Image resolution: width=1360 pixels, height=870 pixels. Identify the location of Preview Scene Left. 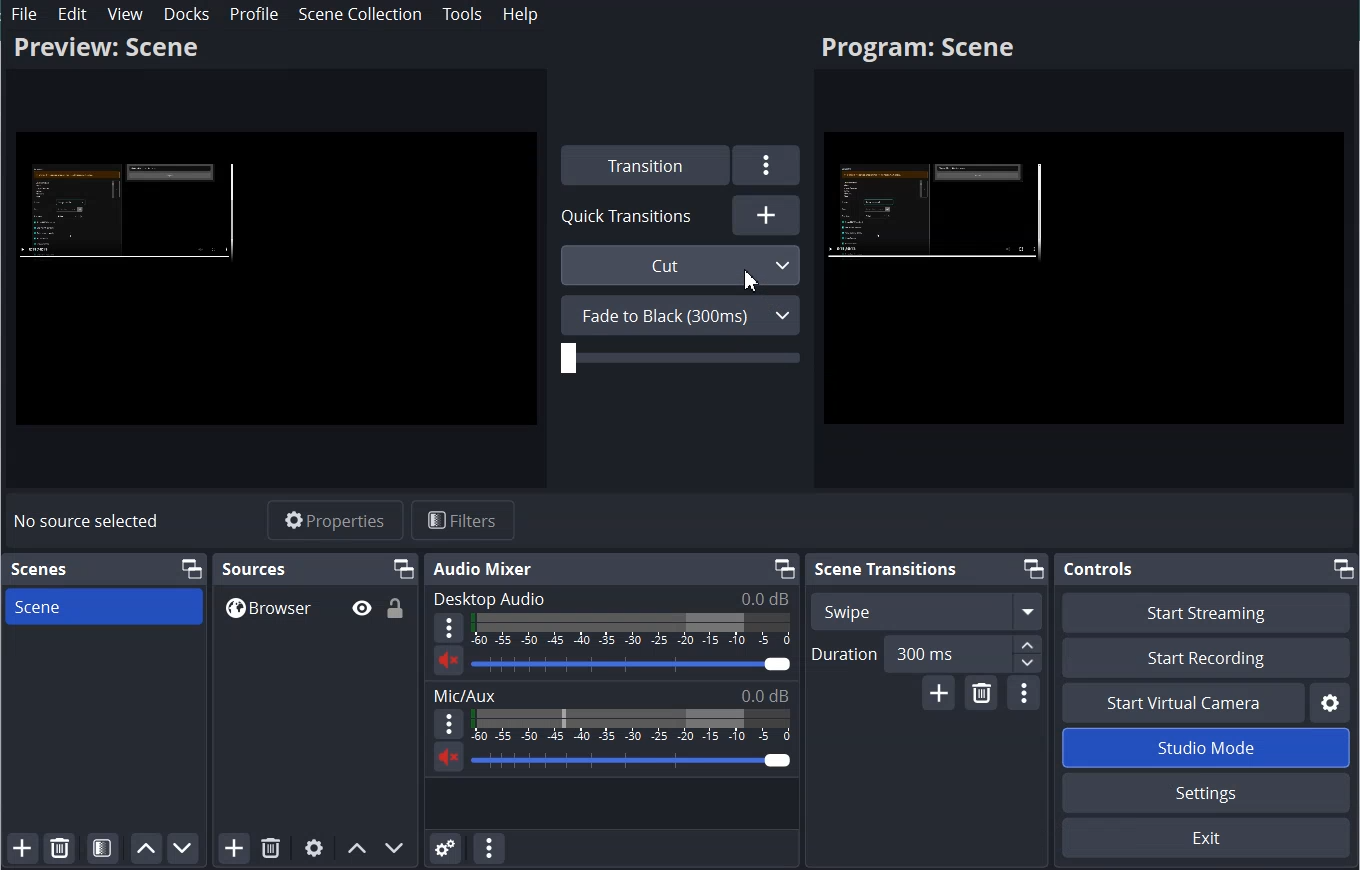
(276, 280).